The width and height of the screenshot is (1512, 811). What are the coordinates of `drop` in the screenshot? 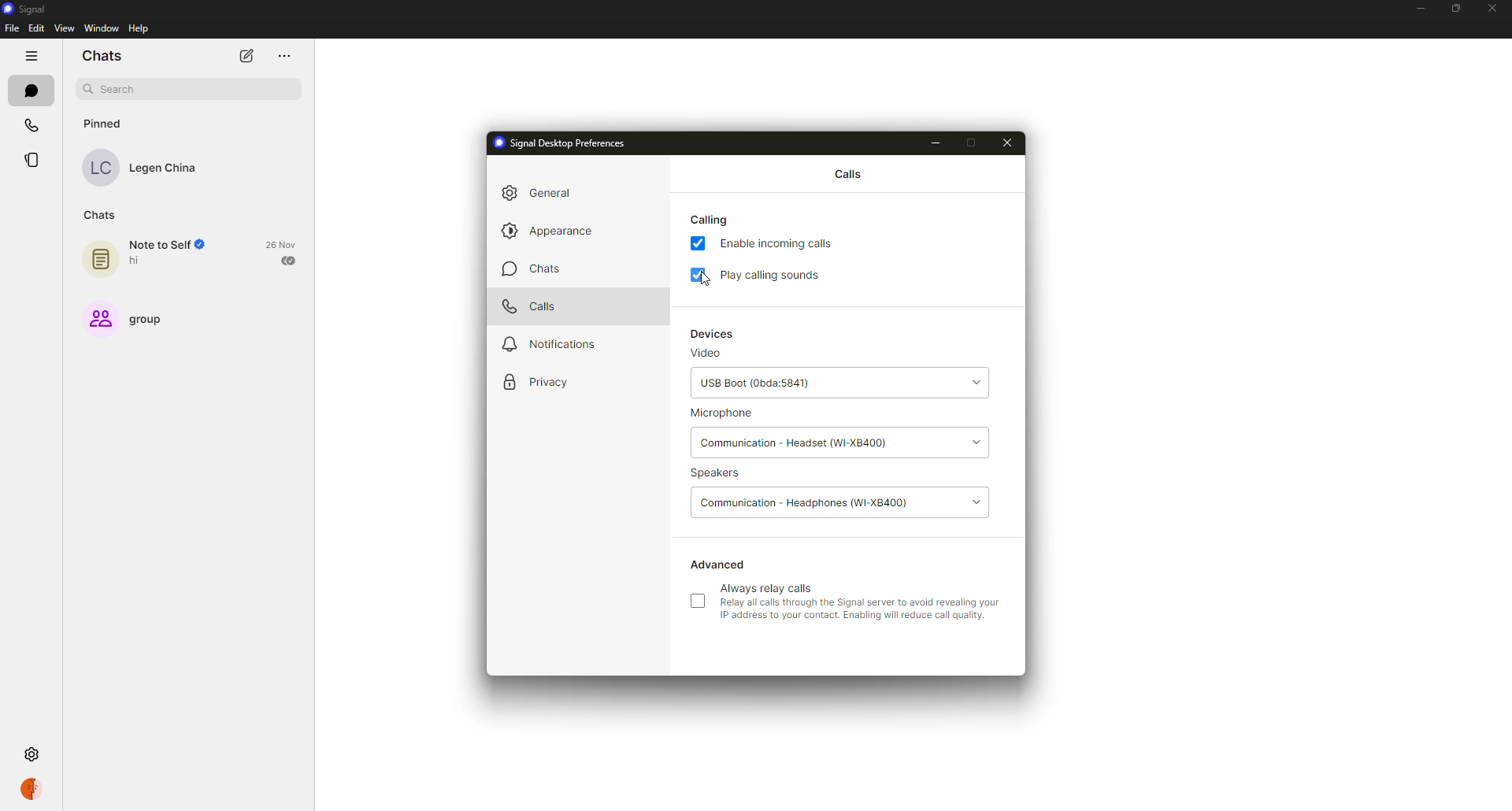 It's located at (984, 500).